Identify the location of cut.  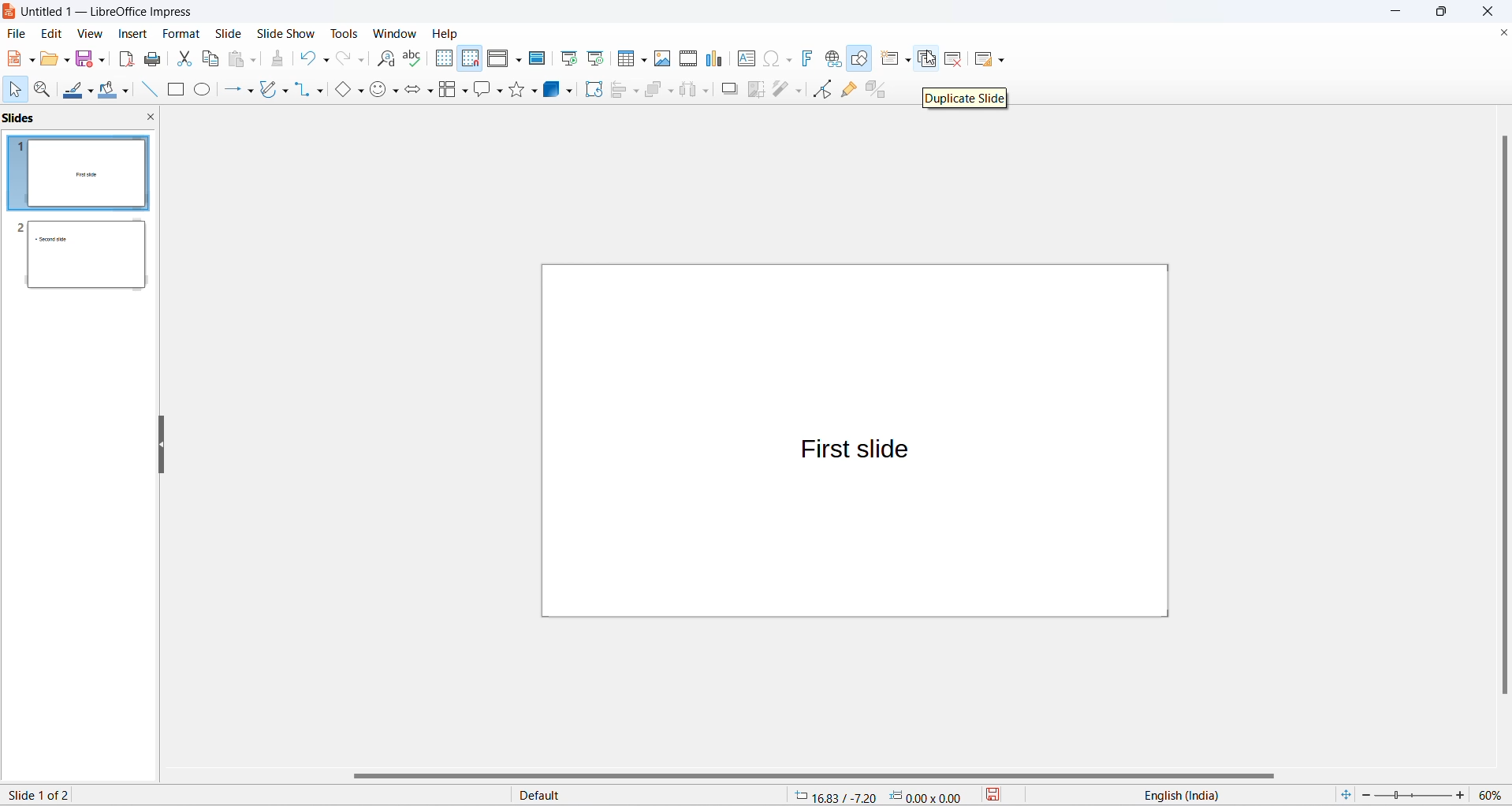
(183, 58).